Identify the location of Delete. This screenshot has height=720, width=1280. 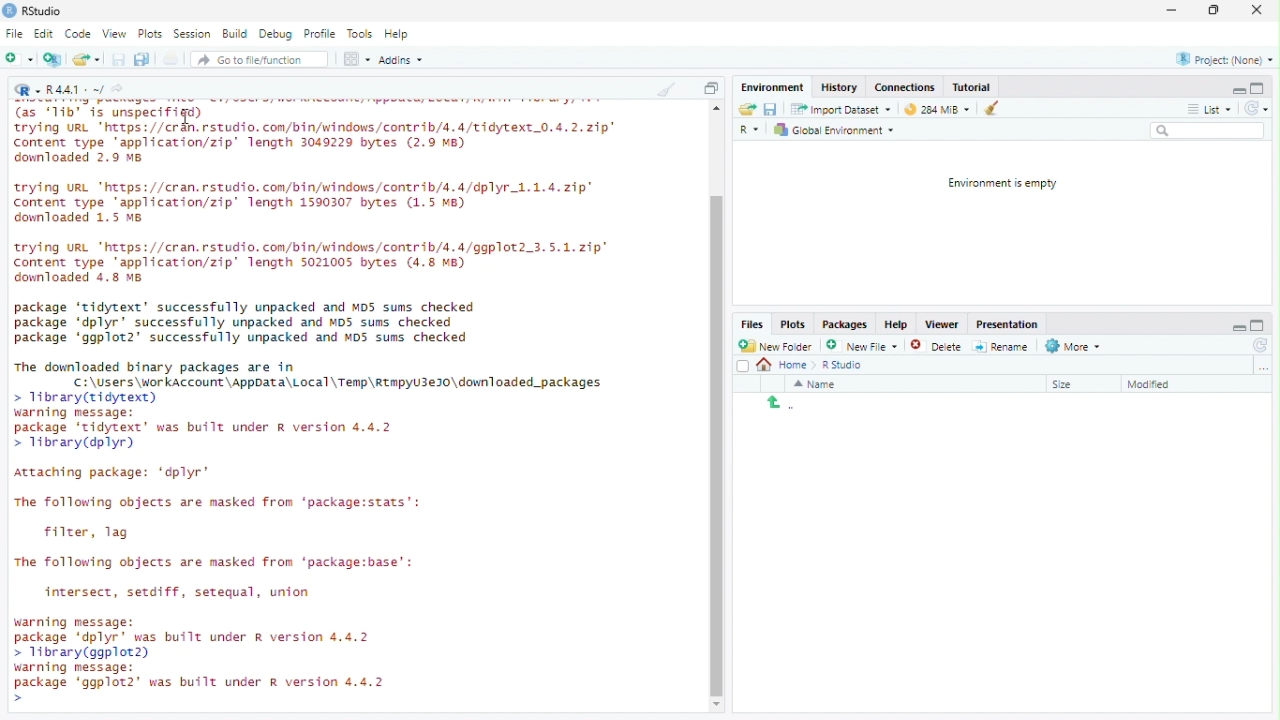
(923, 346).